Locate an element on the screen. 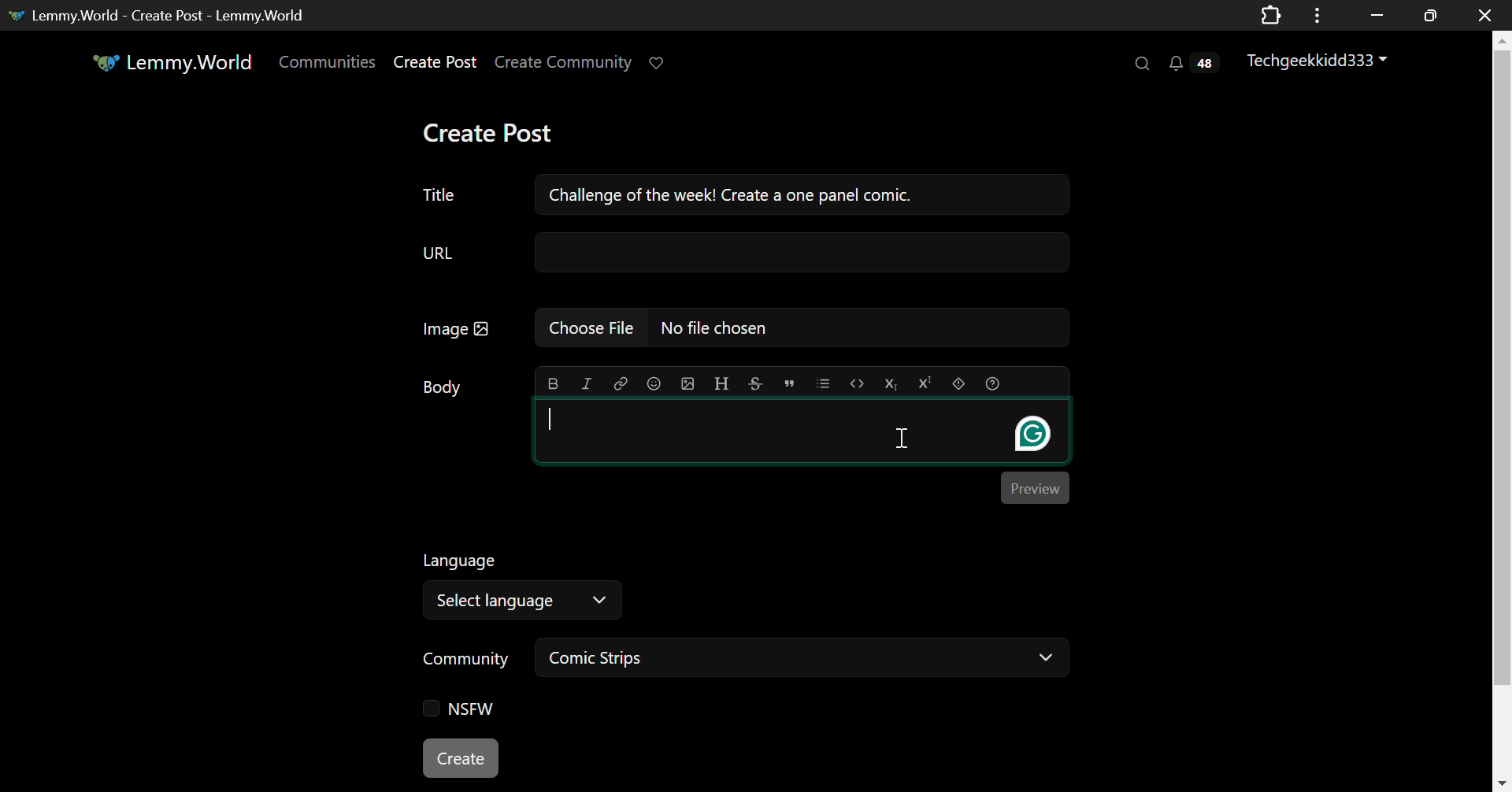  Language is located at coordinates (459, 561).